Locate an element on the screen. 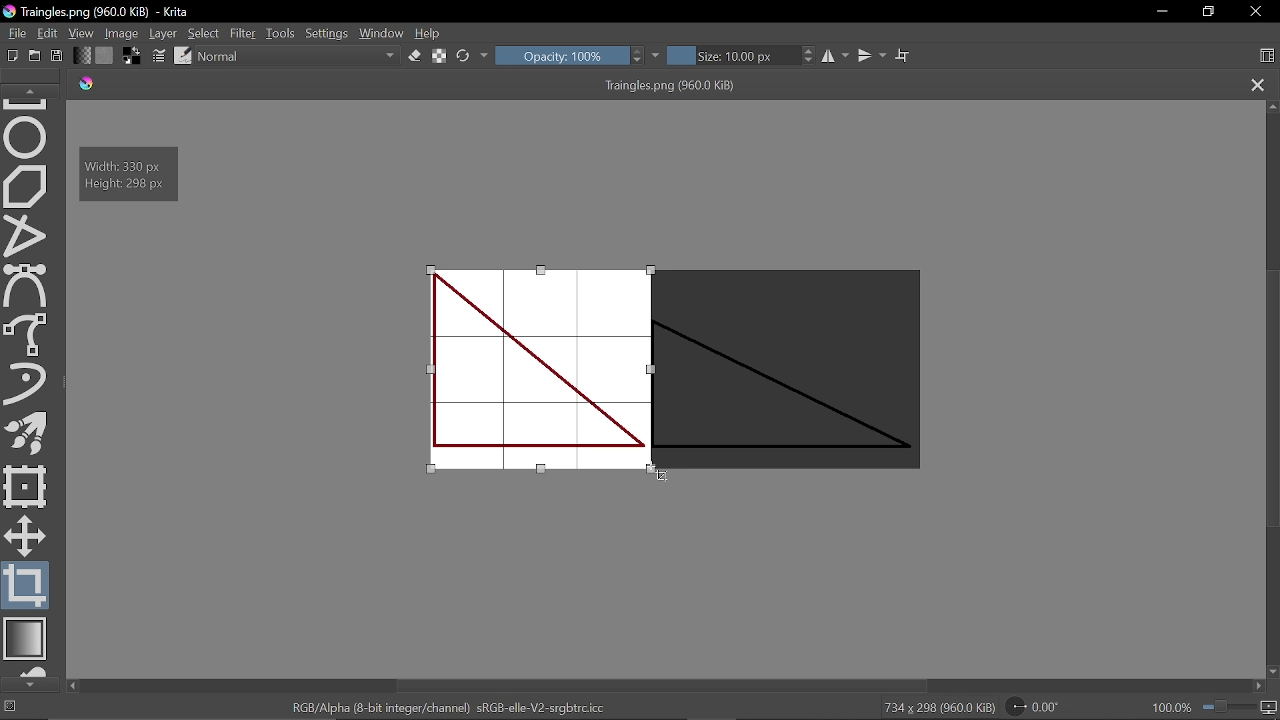 The image size is (1280, 720). Size: 10.00 px is located at coordinates (734, 56).